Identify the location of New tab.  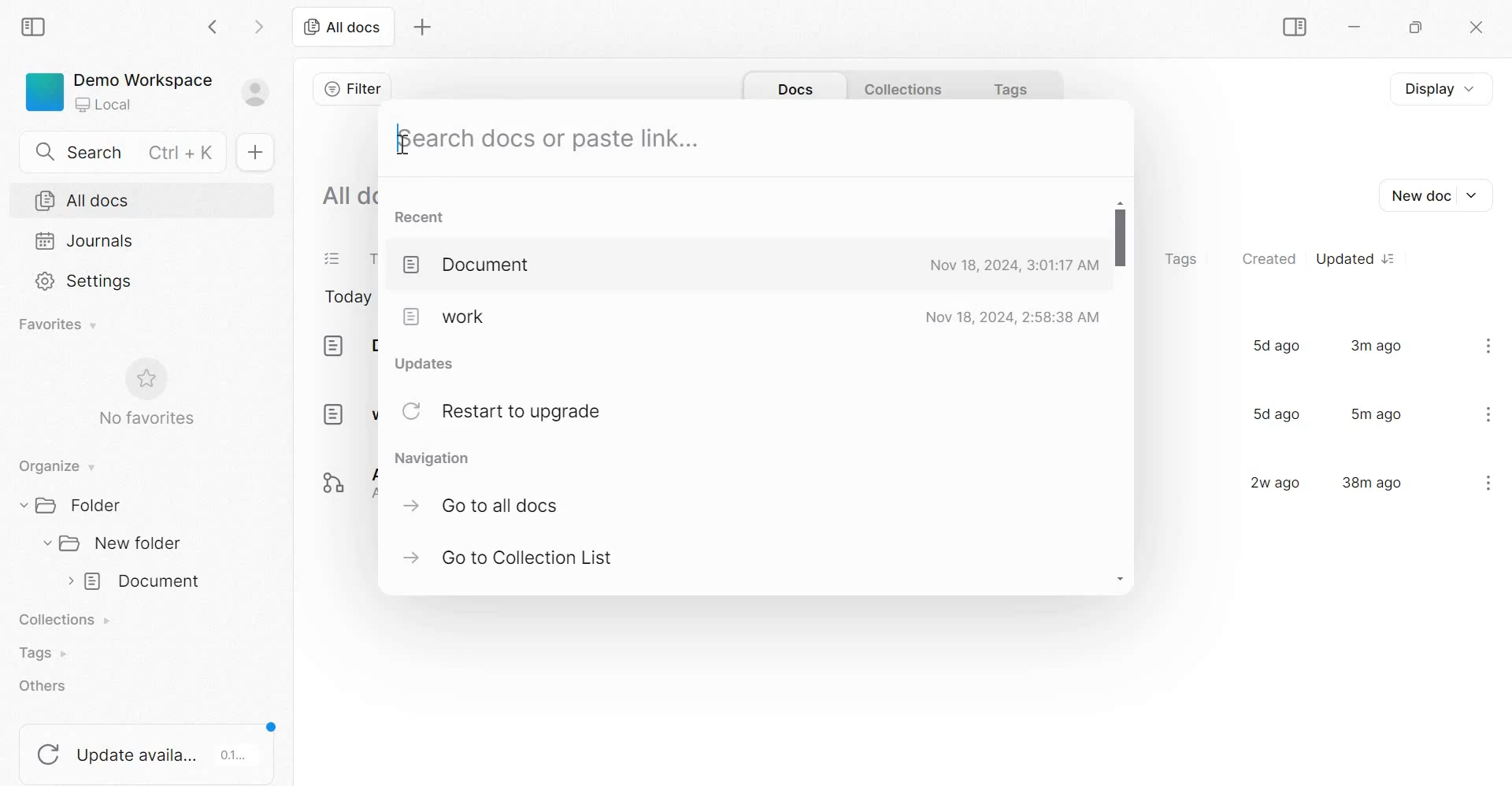
(423, 28).